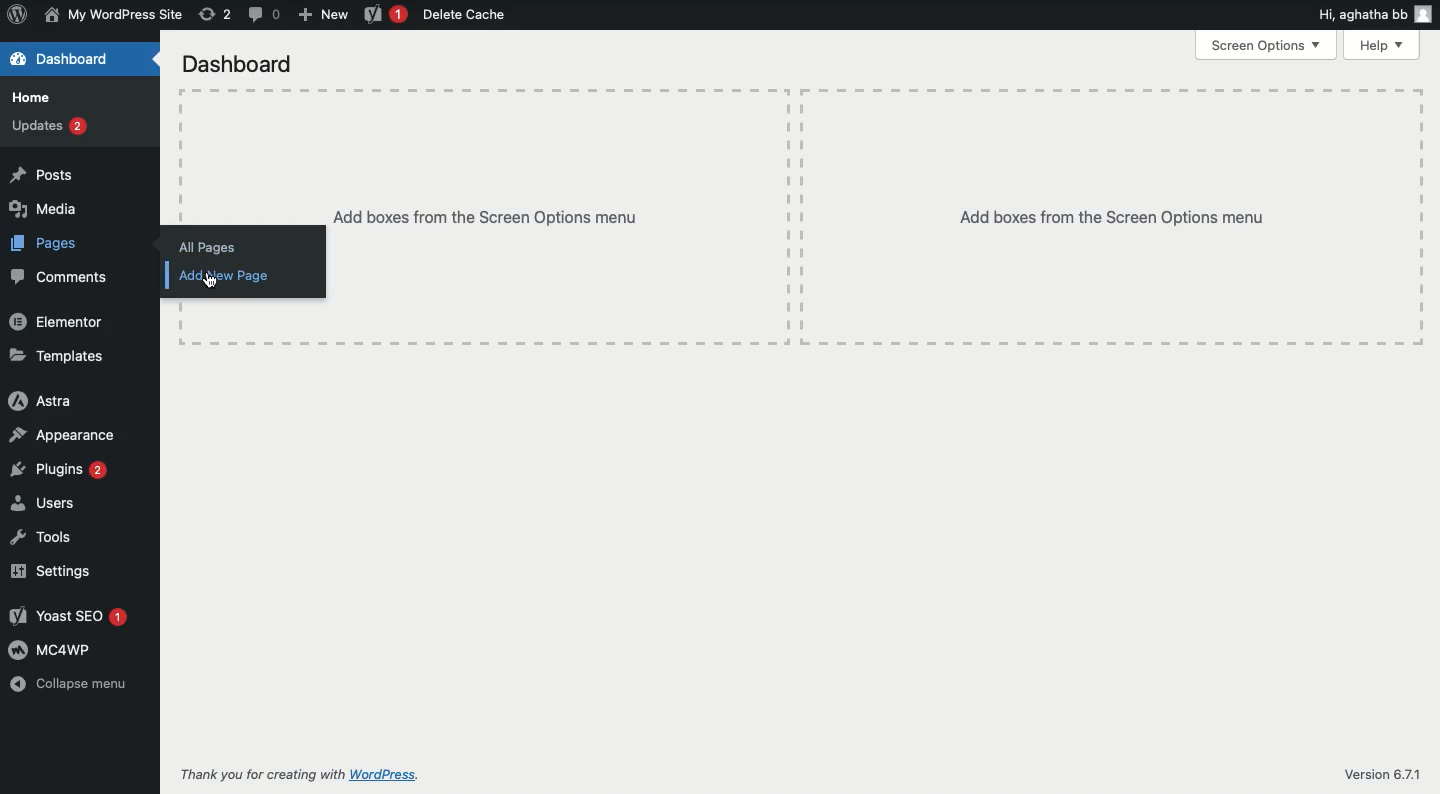  Describe the element at coordinates (51, 648) in the screenshot. I see `© mcawp` at that location.